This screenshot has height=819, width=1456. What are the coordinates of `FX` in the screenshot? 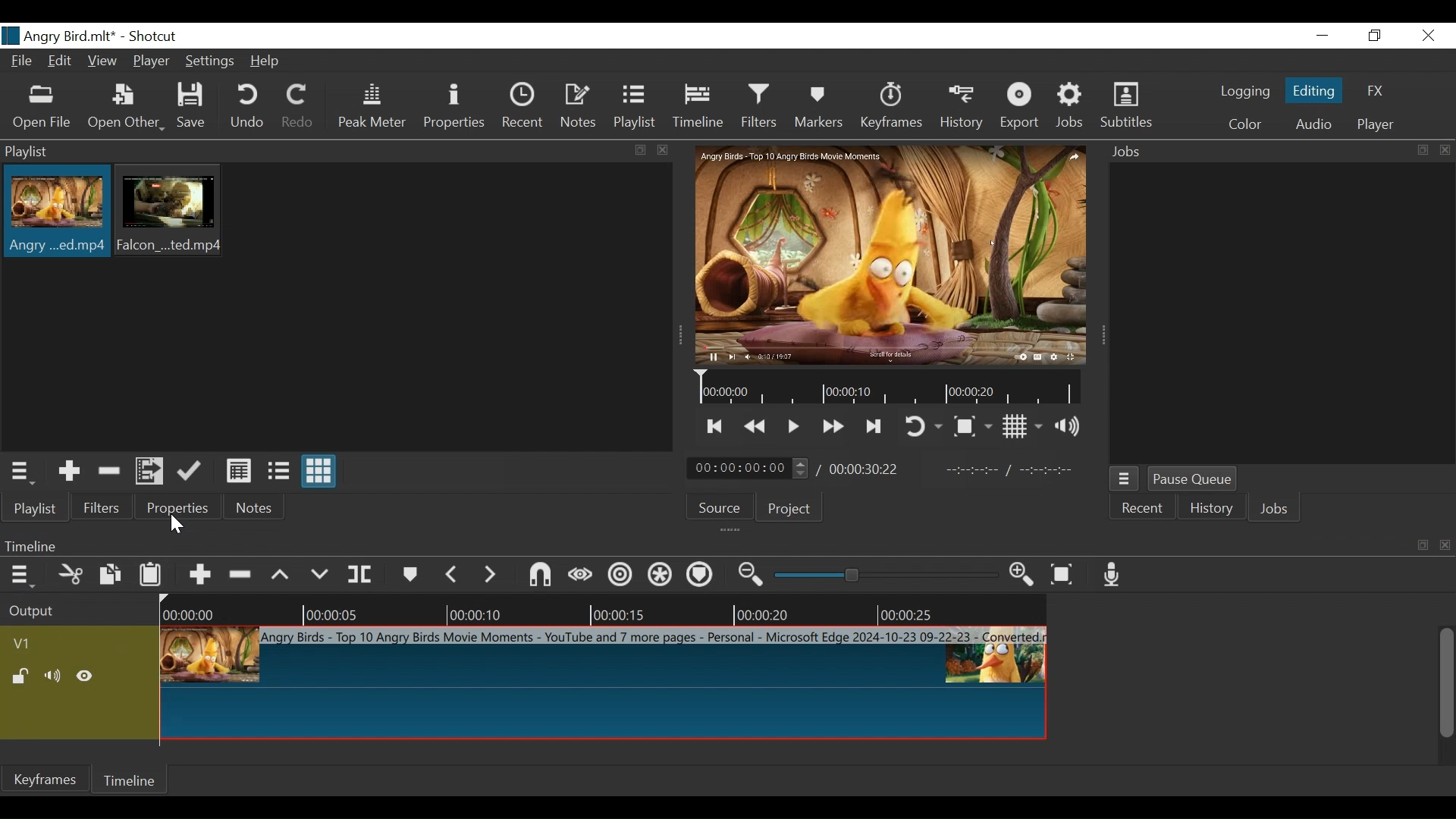 It's located at (1376, 91).